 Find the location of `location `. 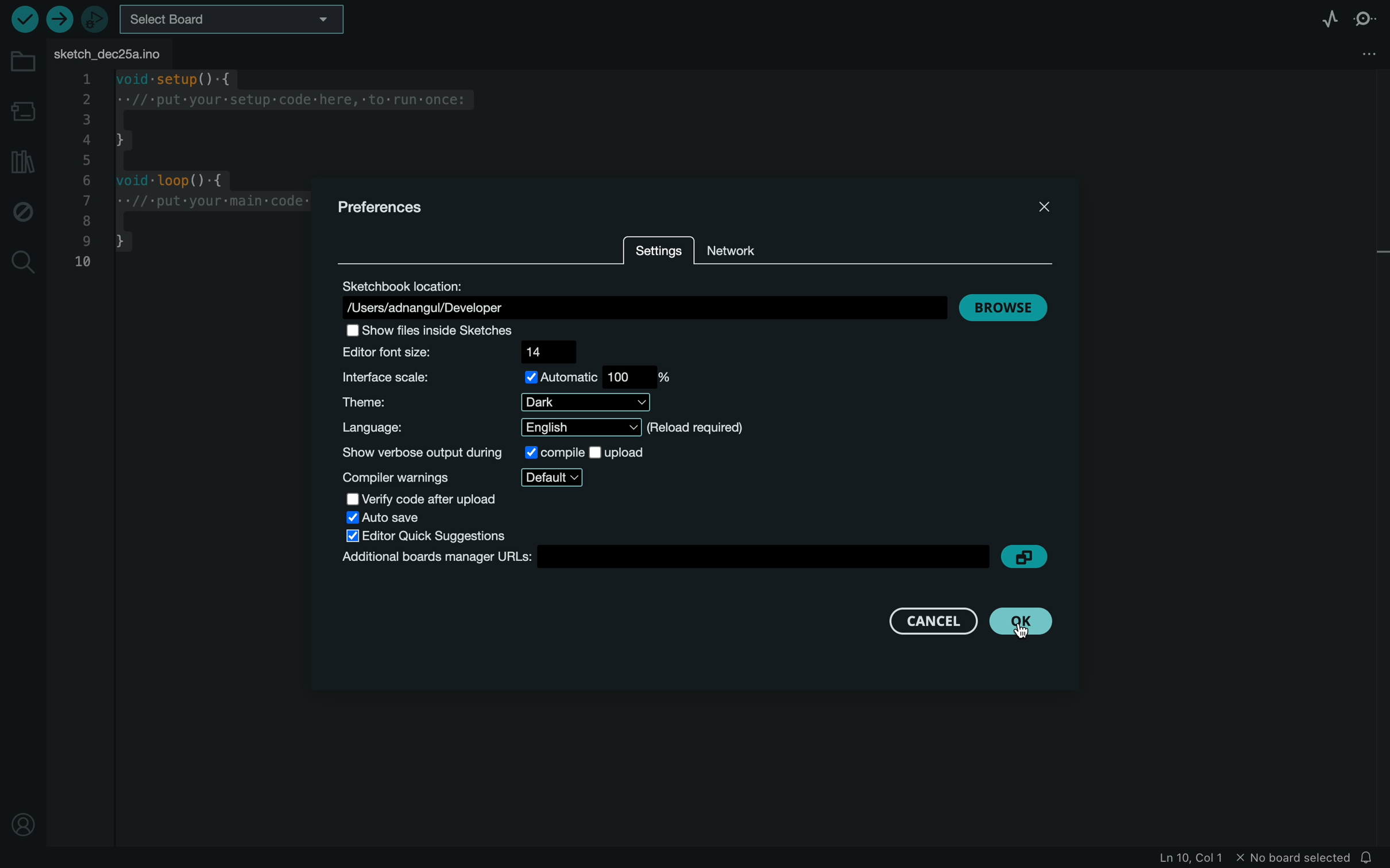

location  is located at coordinates (640, 296).